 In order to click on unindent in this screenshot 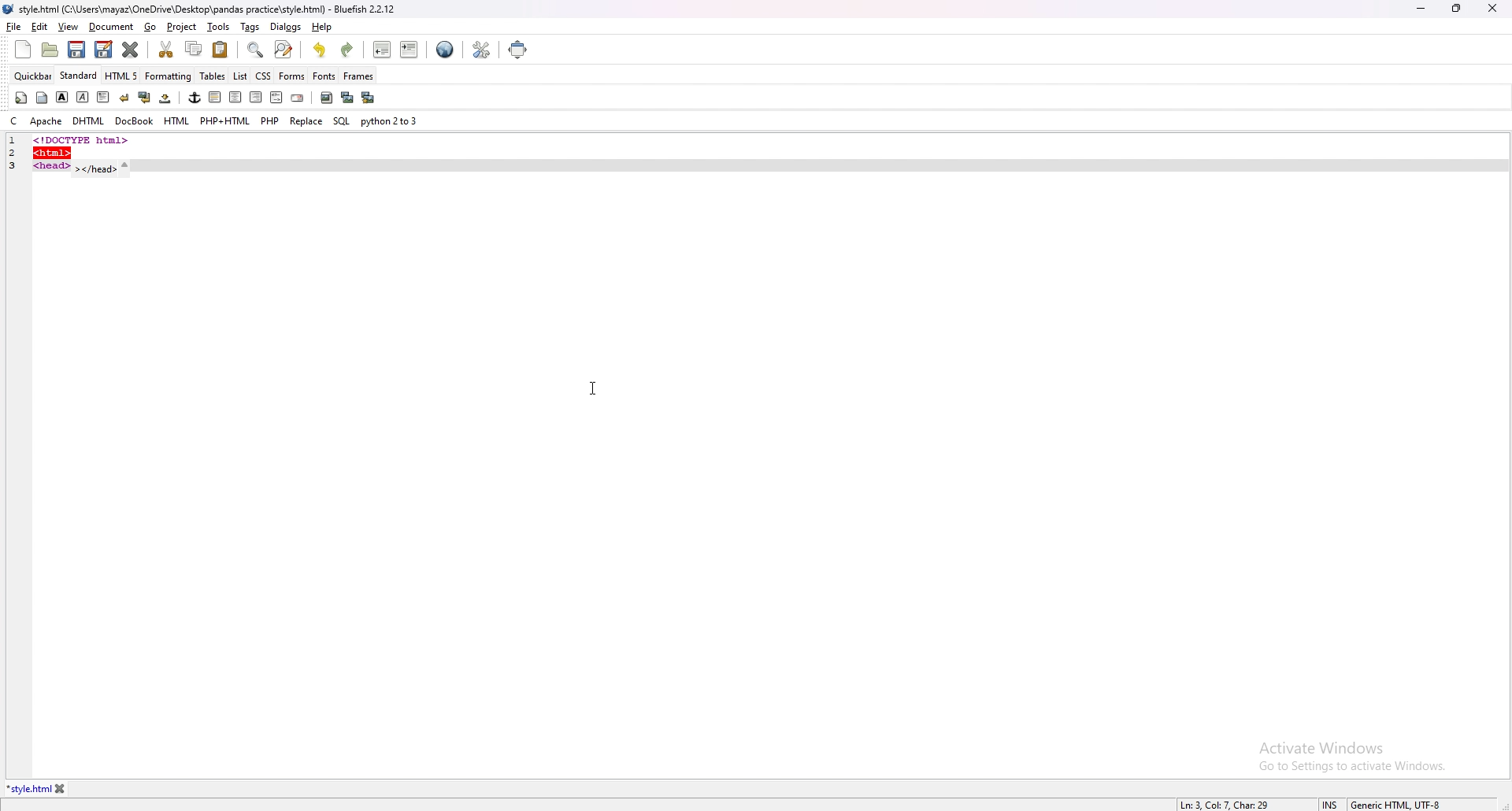, I will do `click(383, 50)`.